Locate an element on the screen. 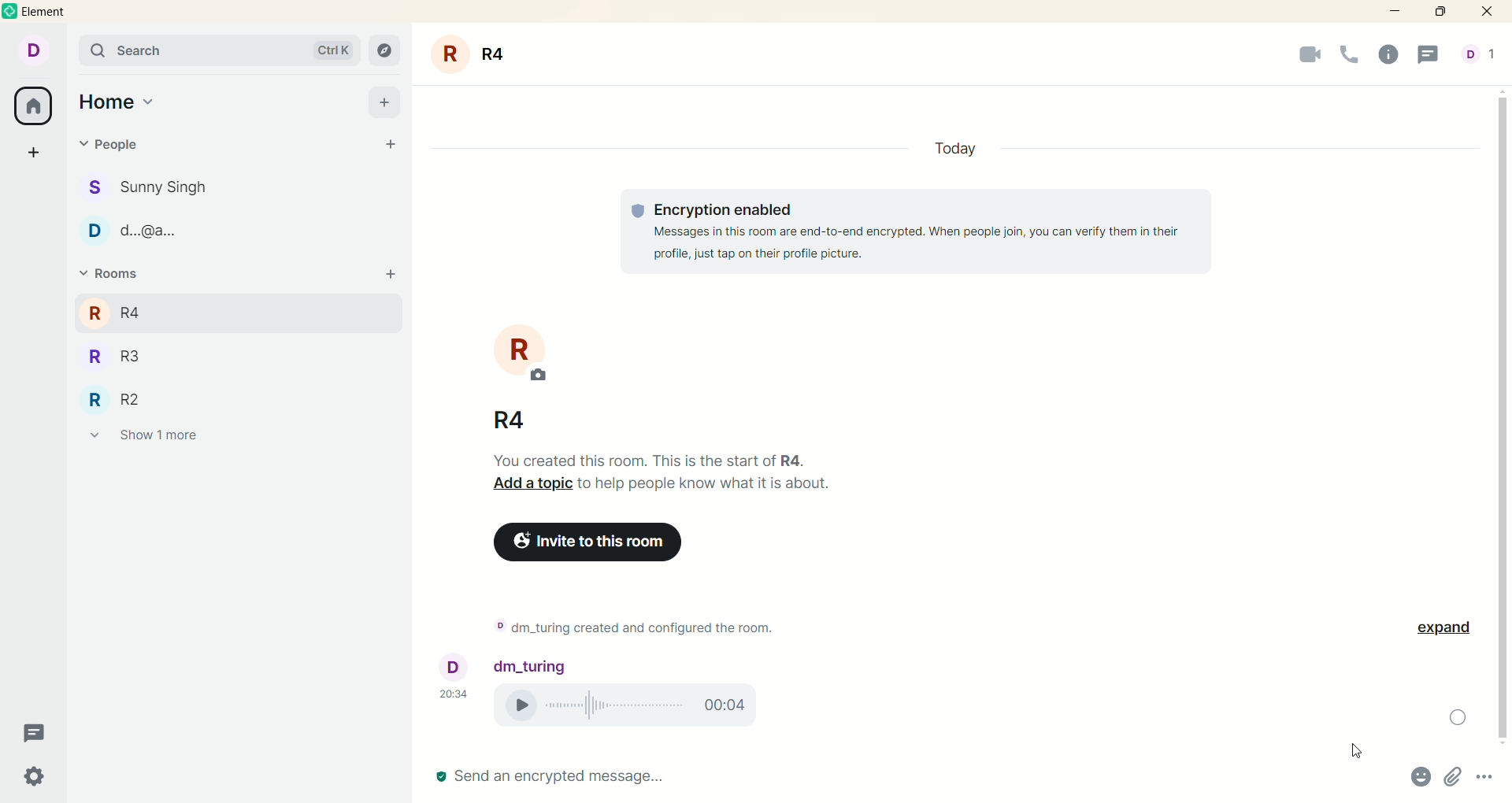 The image size is (1512, 803).  is located at coordinates (1457, 779).